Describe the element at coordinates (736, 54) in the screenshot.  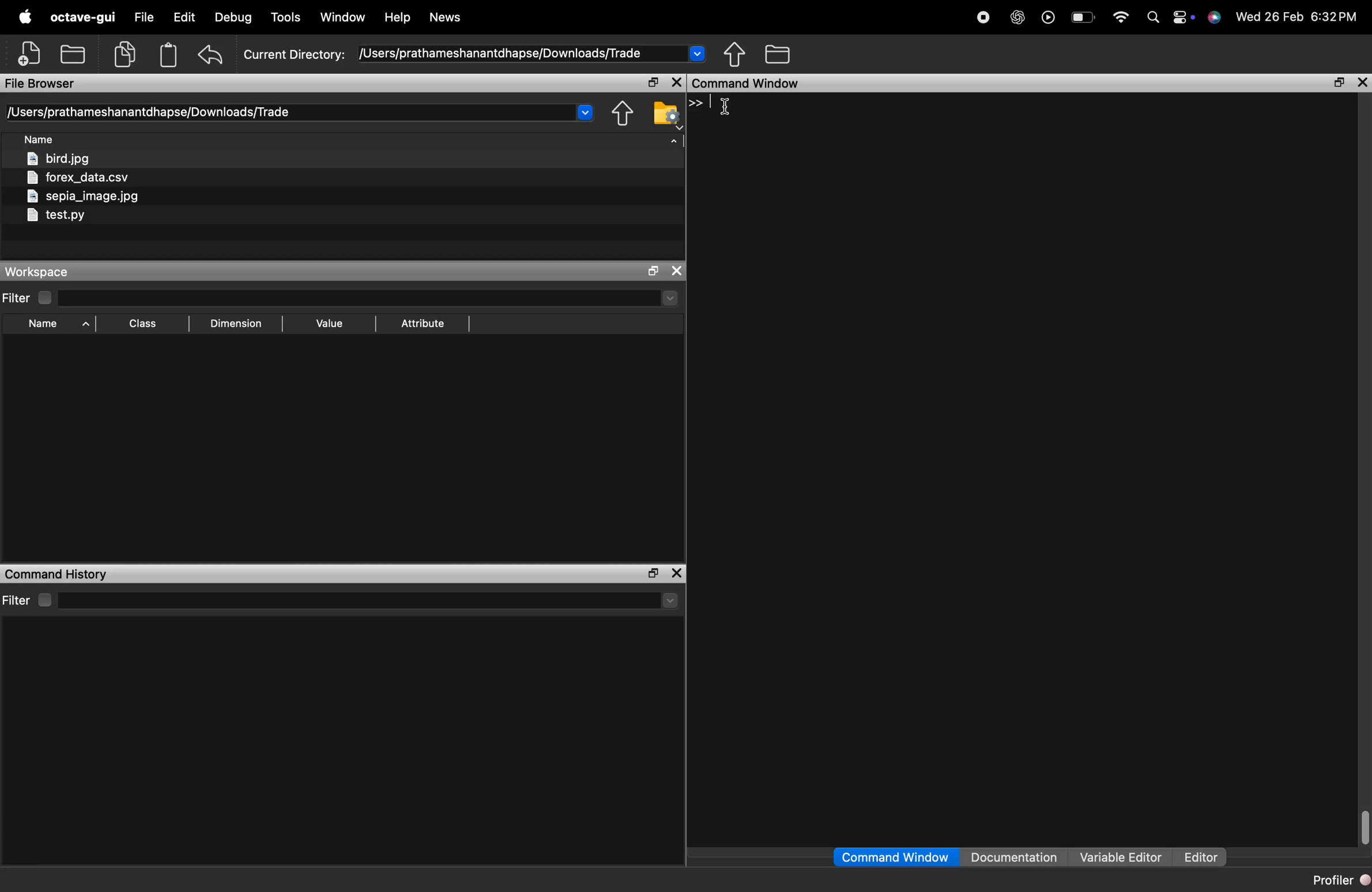
I see `one directory up` at that location.